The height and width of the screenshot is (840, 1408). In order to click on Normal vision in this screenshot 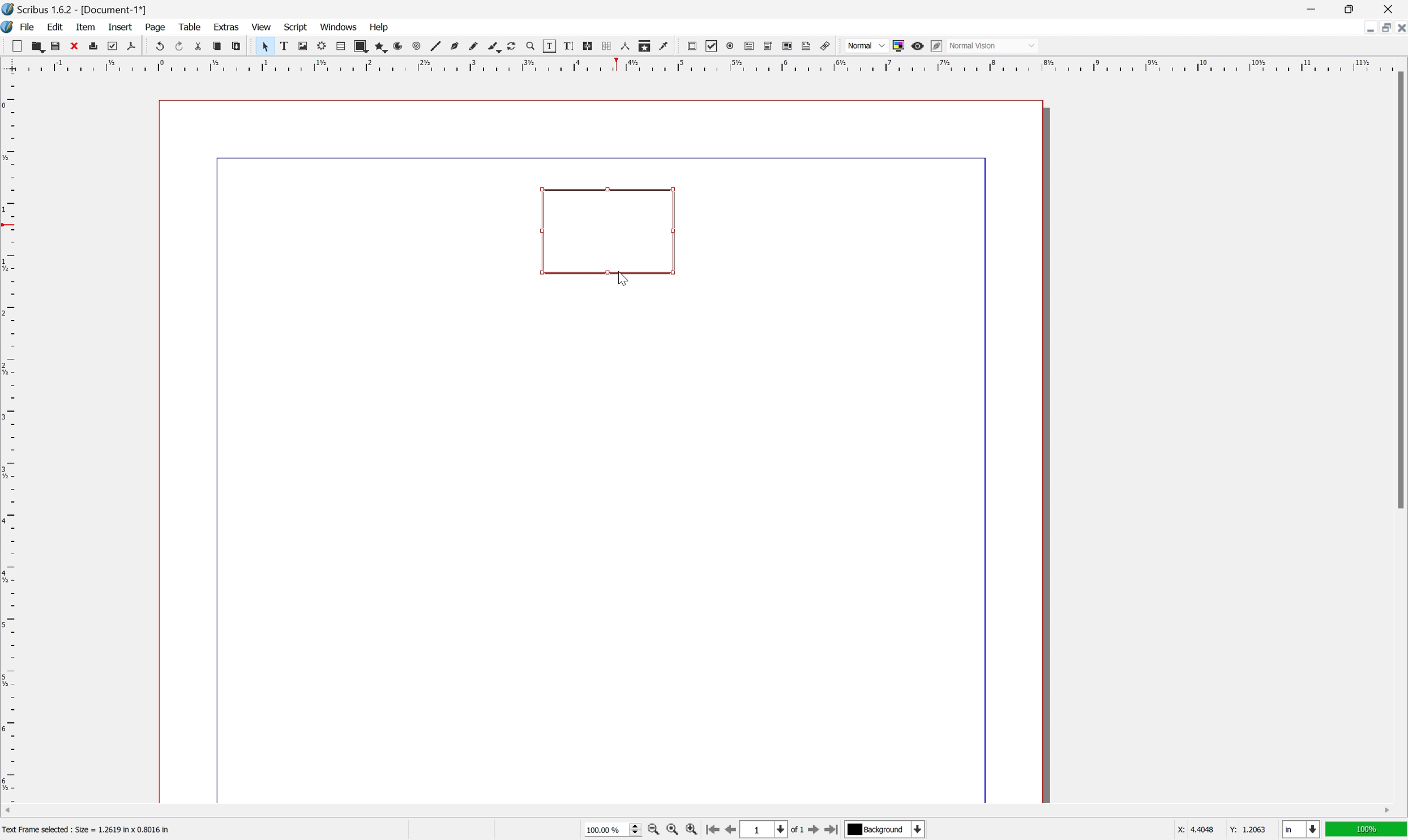, I will do `click(995, 45)`.